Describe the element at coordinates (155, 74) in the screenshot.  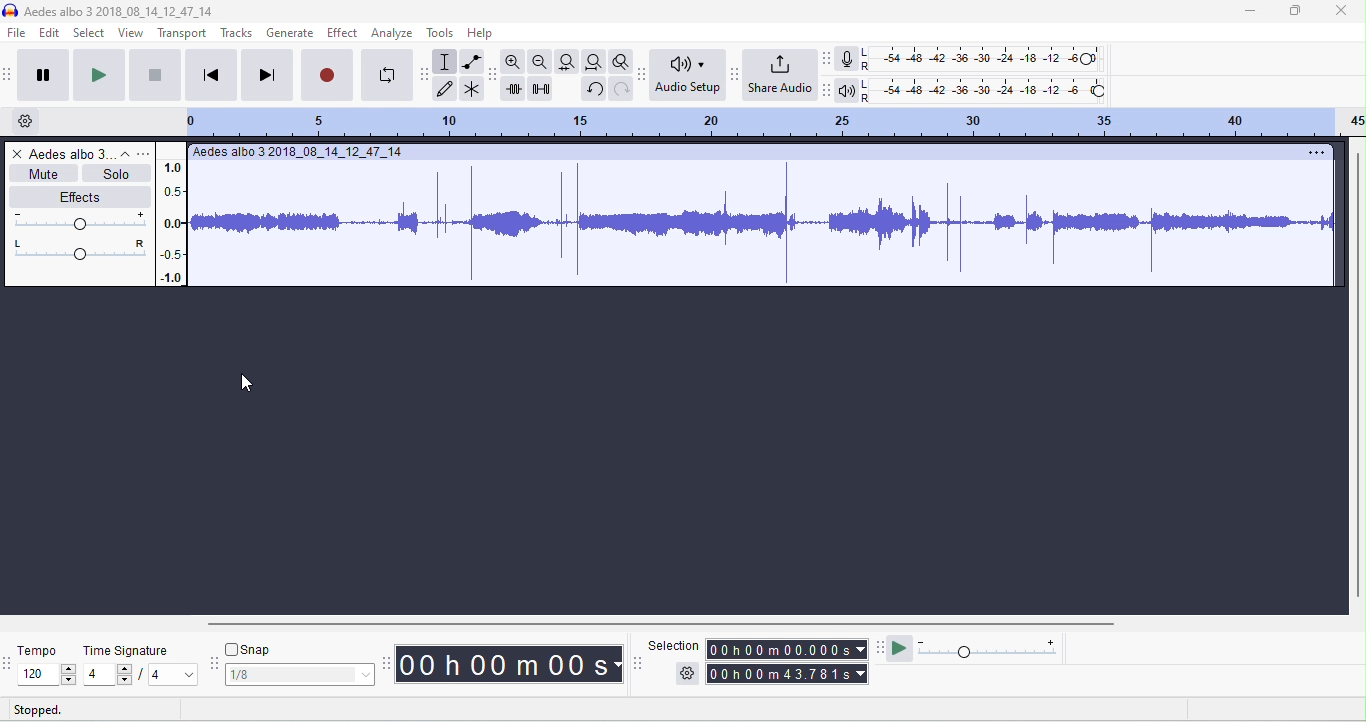
I see `stop` at that location.